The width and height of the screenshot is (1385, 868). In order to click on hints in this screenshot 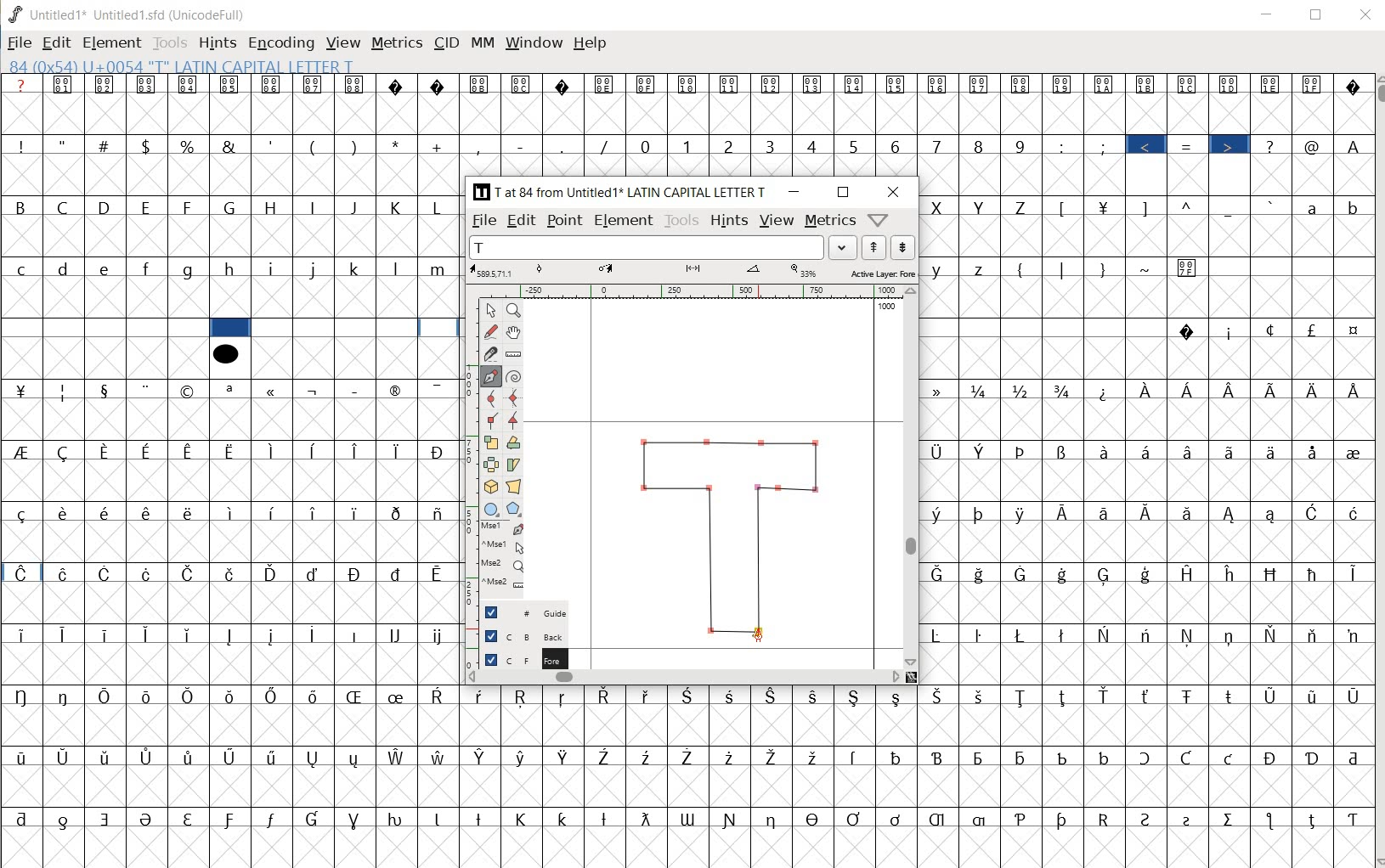, I will do `click(218, 42)`.